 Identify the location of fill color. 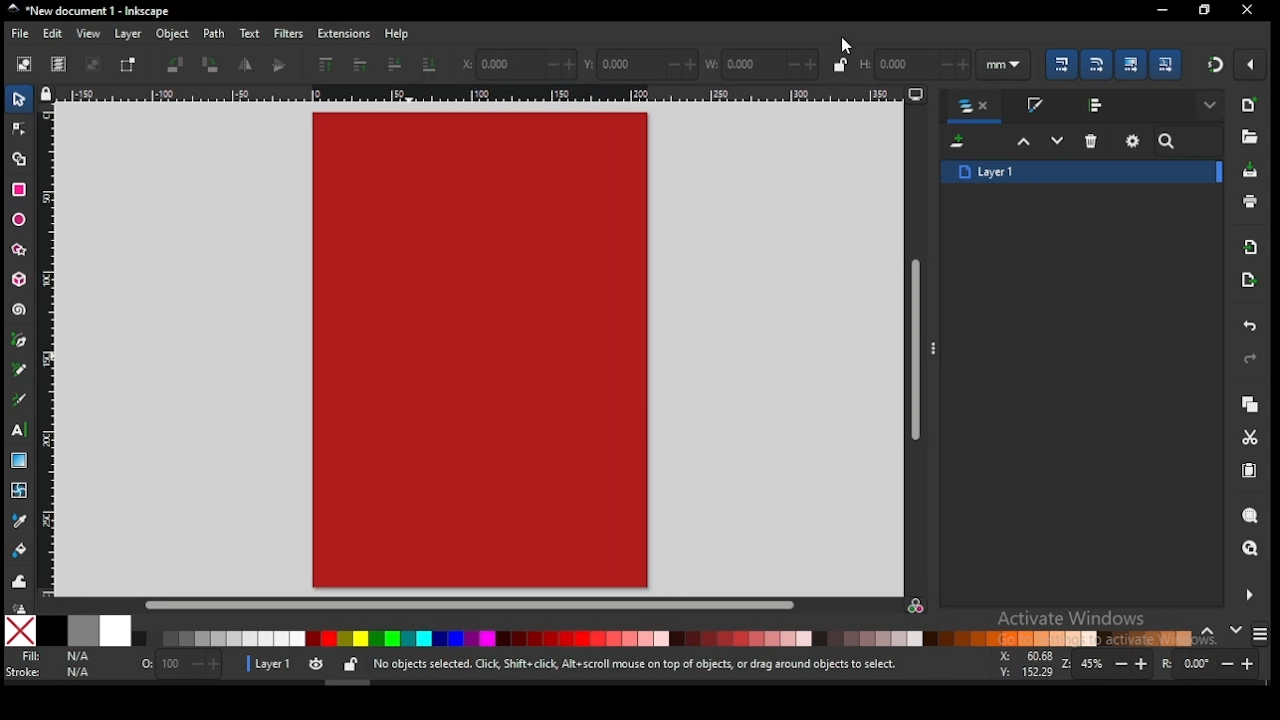
(53, 657).